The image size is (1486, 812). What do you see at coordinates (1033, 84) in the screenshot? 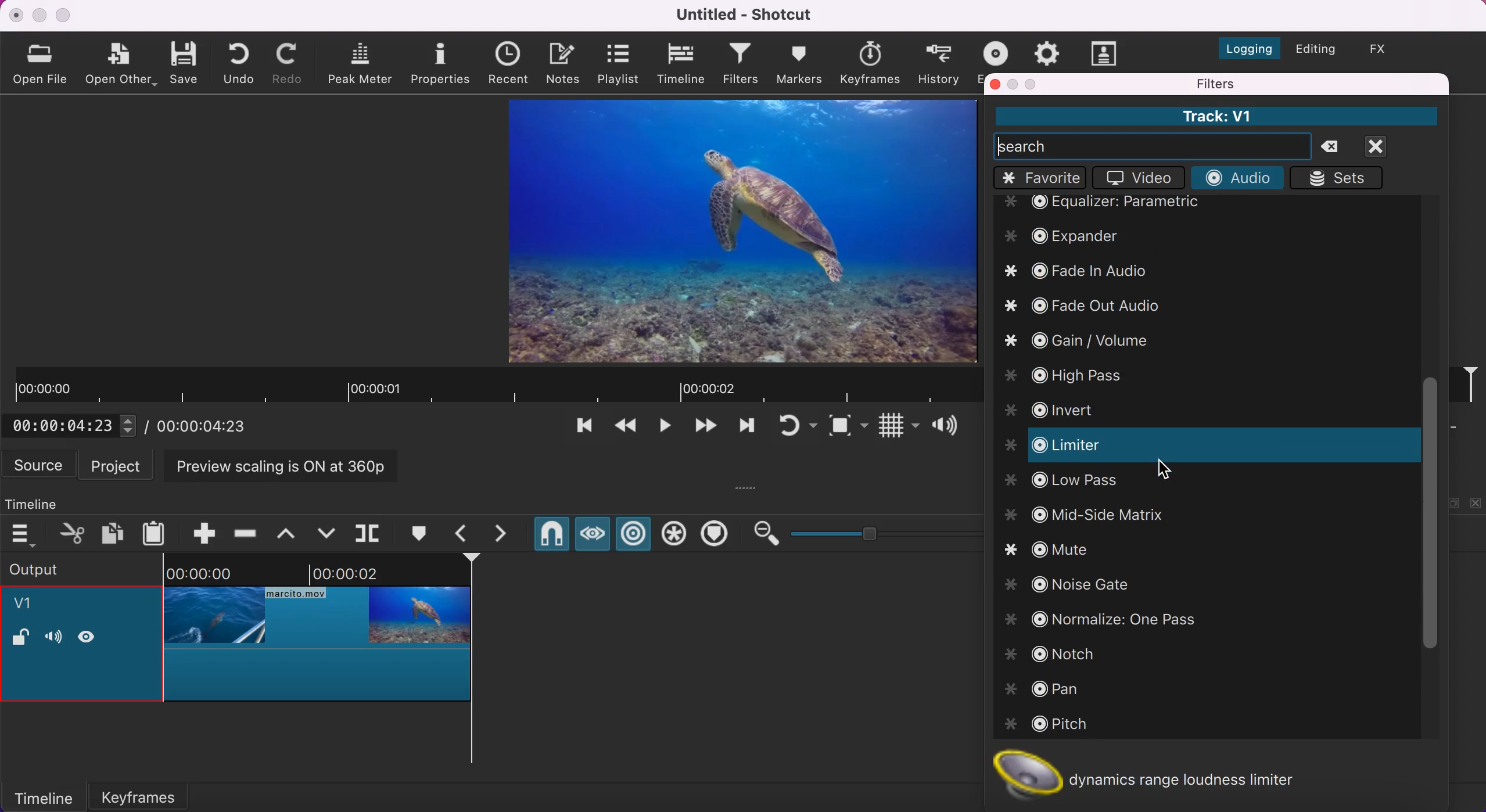
I see `maximize` at bounding box center [1033, 84].